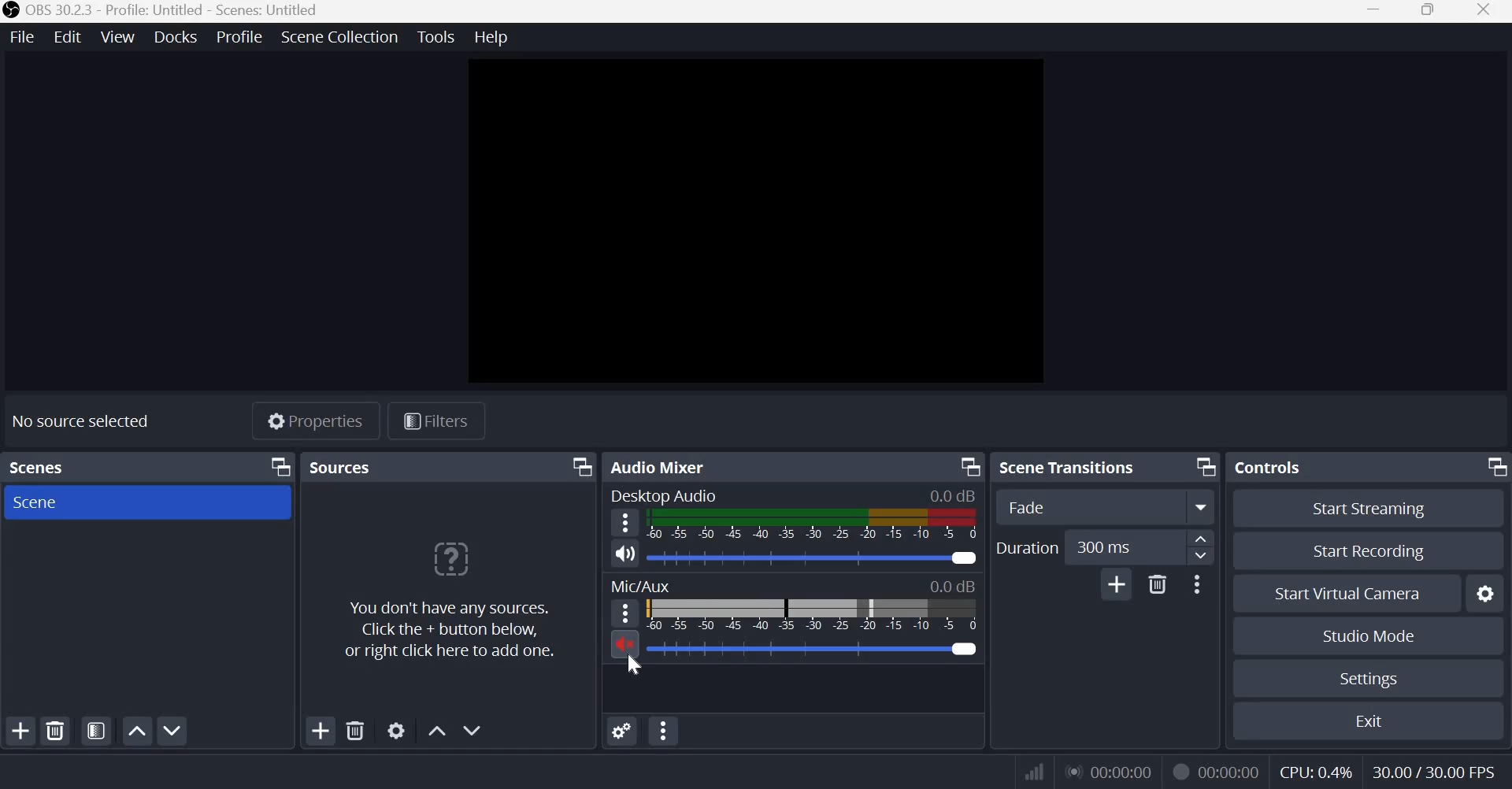 This screenshot has width=1512, height=789. What do you see at coordinates (947, 494) in the screenshot?
I see `0.00 dB` at bounding box center [947, 494].